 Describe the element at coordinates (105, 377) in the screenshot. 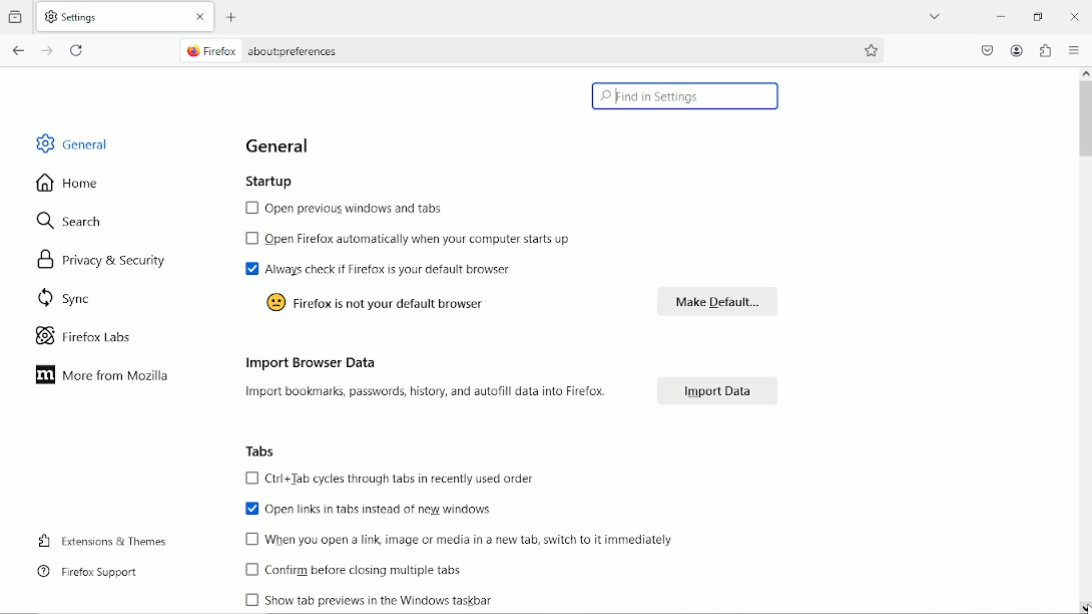

I see `more from mozilla` at that location.